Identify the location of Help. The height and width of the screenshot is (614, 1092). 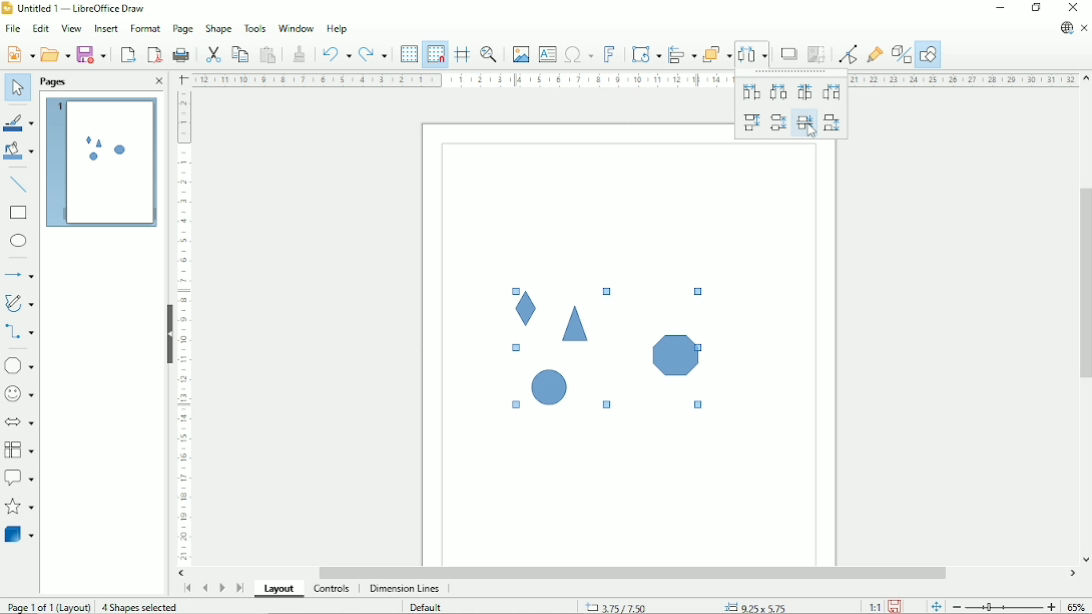
(337, 29).